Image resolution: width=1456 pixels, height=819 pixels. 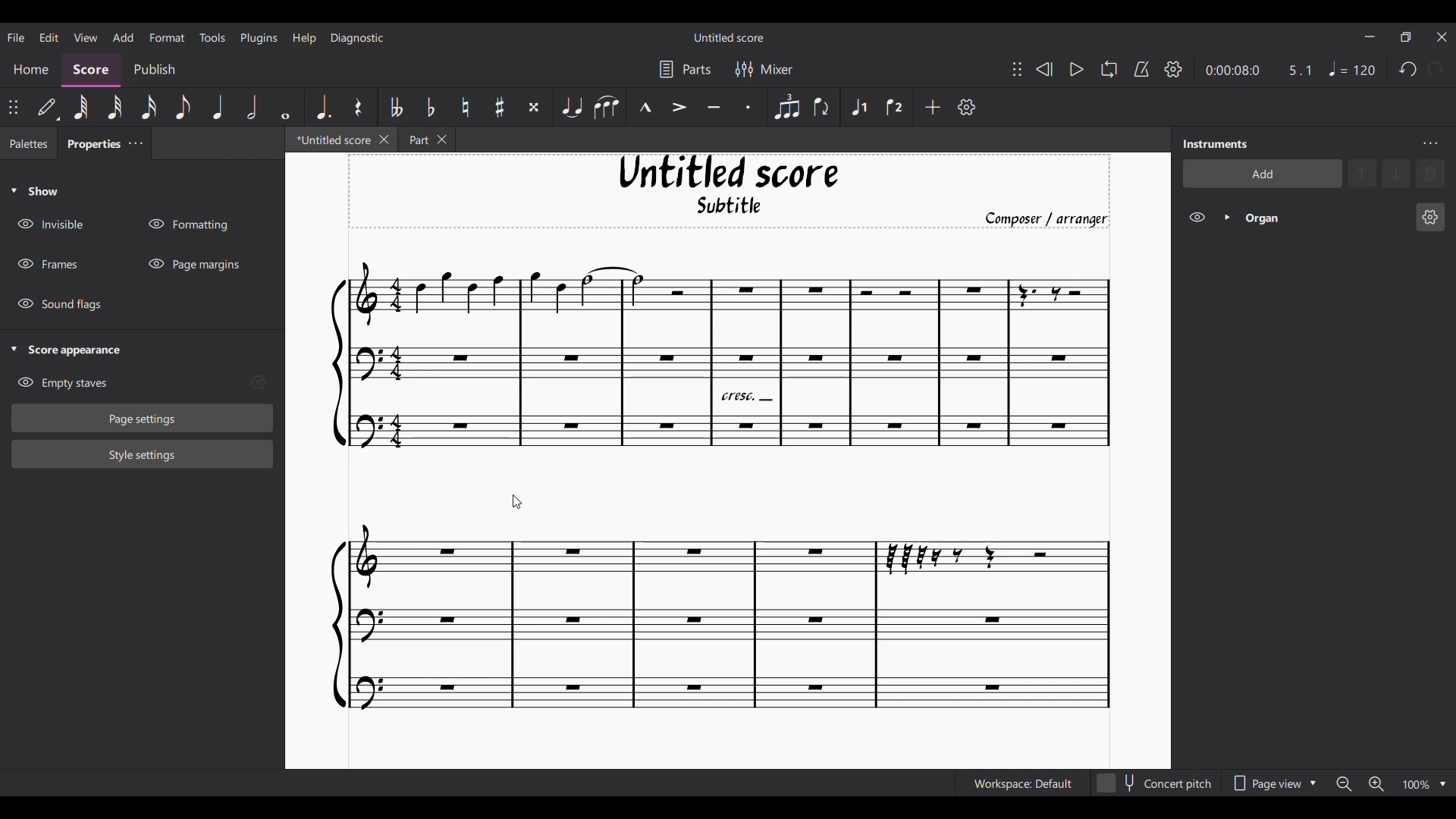 What do you see at coordinates (142, 453) in the screenshot?
I see `Style settings` at bounding box center [142, 453].